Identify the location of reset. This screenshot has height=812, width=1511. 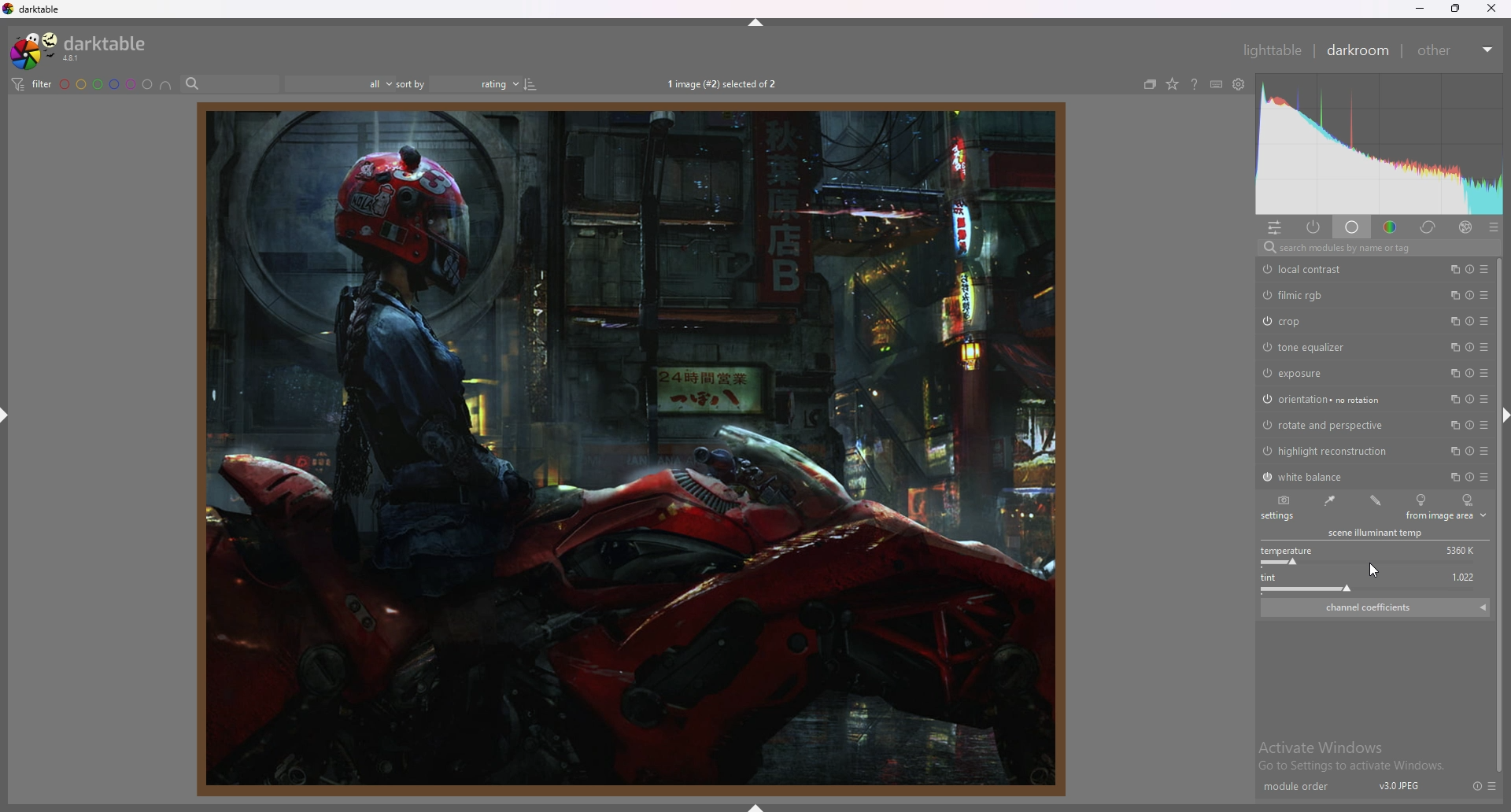
(1470, 295).